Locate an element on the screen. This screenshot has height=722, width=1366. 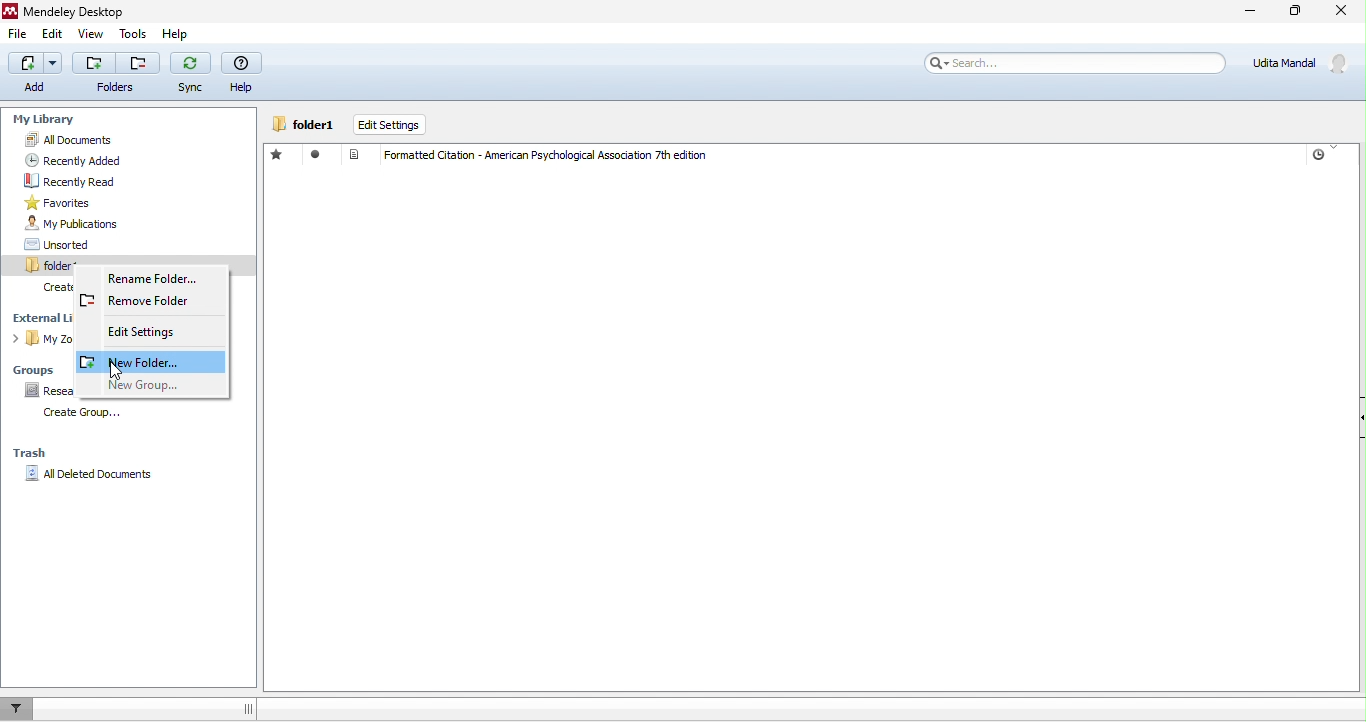
edit is located at coordinates (55, 35).